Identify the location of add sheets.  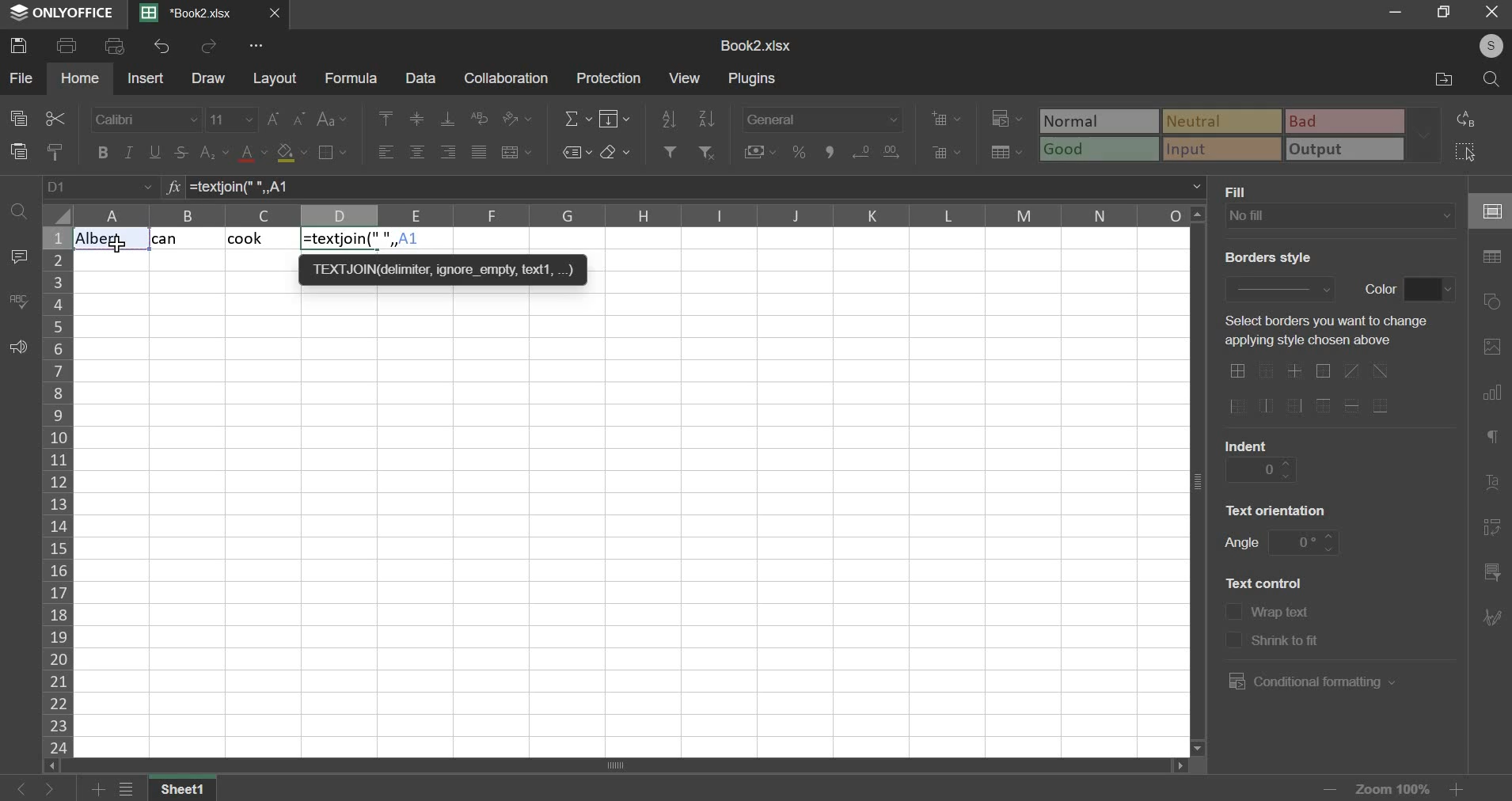
(98, 790).